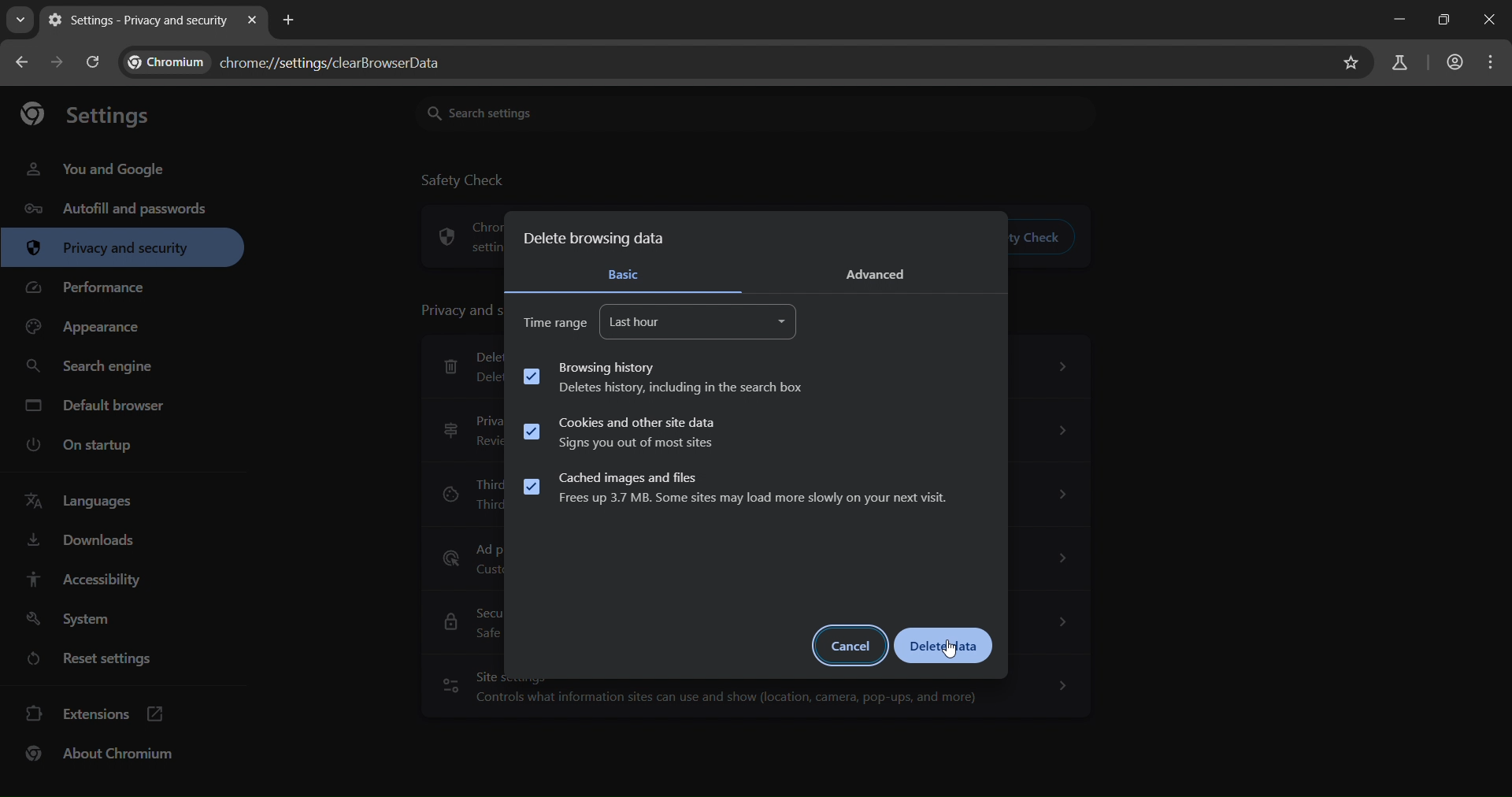 This screenshot has width=1512, height=797. Describe the element at coordinates (1401, 61) in the screenshot. I see `search labs` at that location.